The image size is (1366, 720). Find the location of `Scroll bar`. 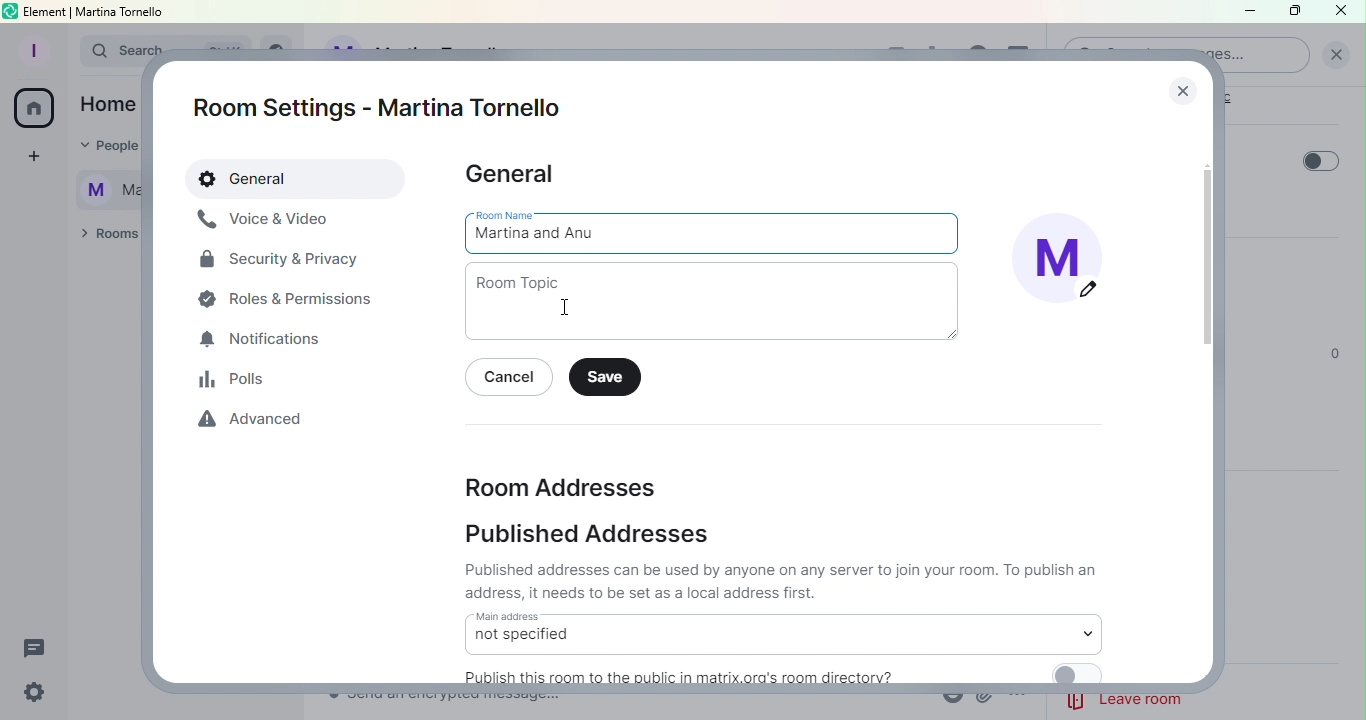

Scroll bar is located at coordinates (1209, 390).